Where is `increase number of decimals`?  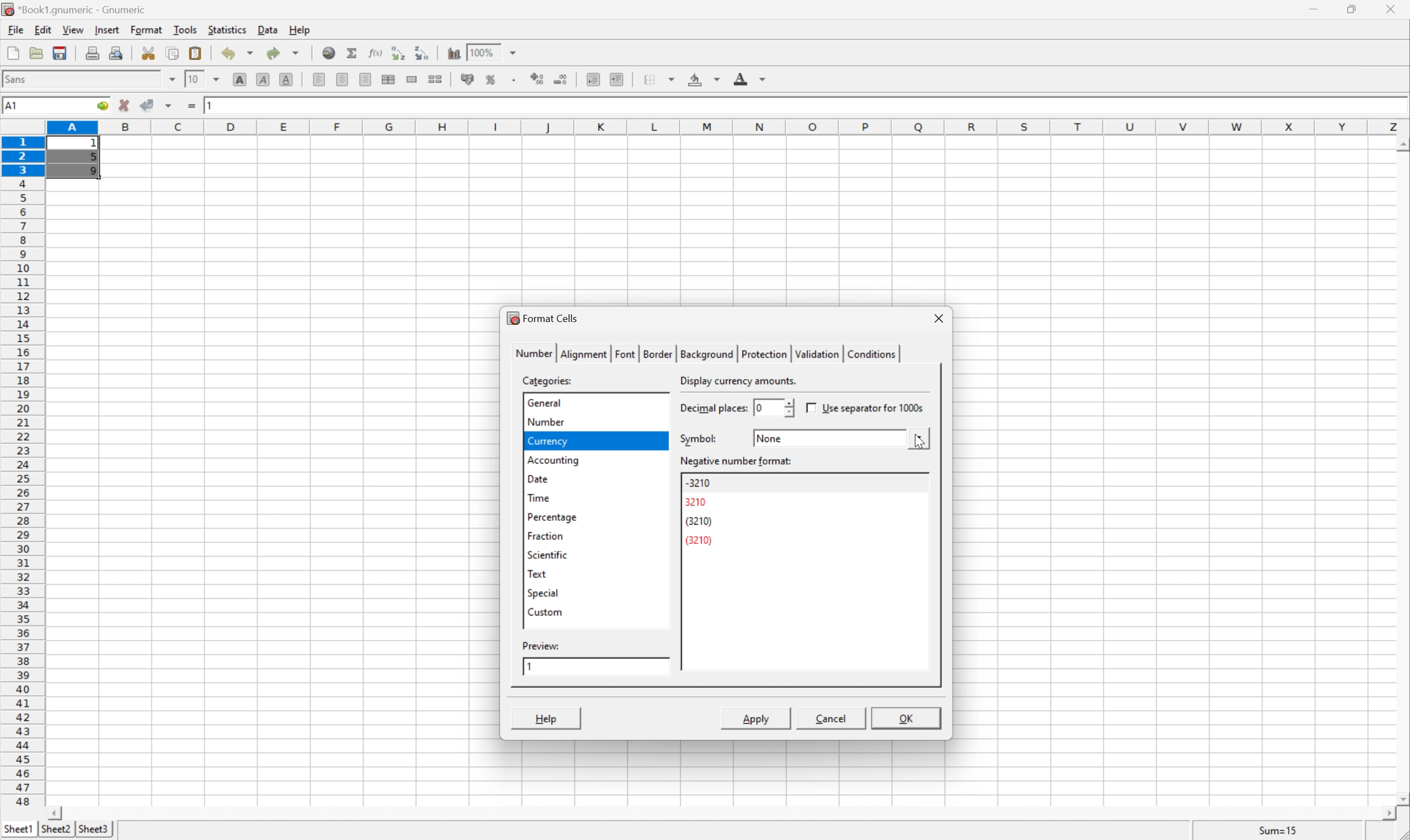 increase number of decimals is located at coordinates (538, 79).